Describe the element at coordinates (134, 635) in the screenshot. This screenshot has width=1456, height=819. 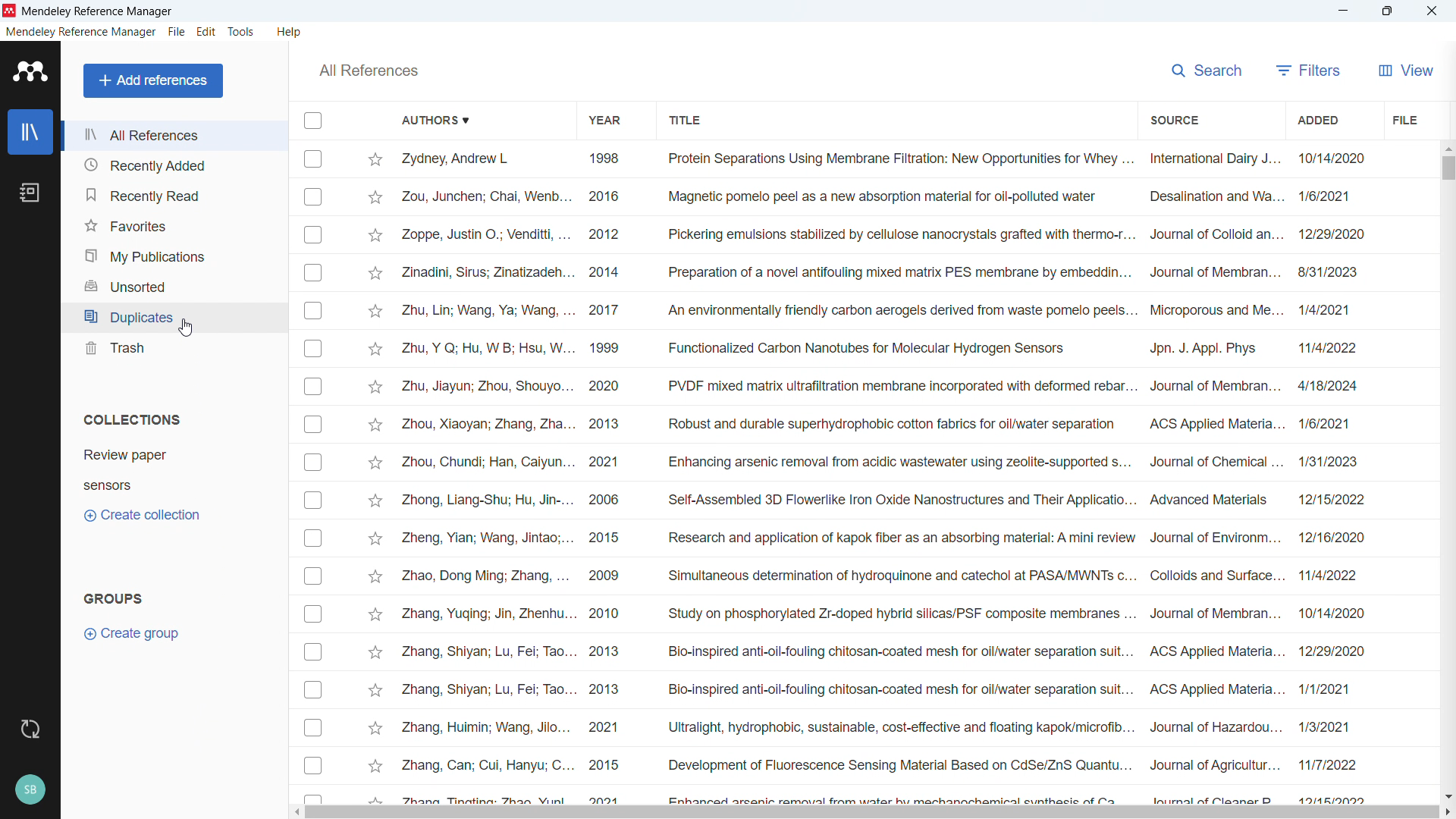
I see `Create group ` at that location.